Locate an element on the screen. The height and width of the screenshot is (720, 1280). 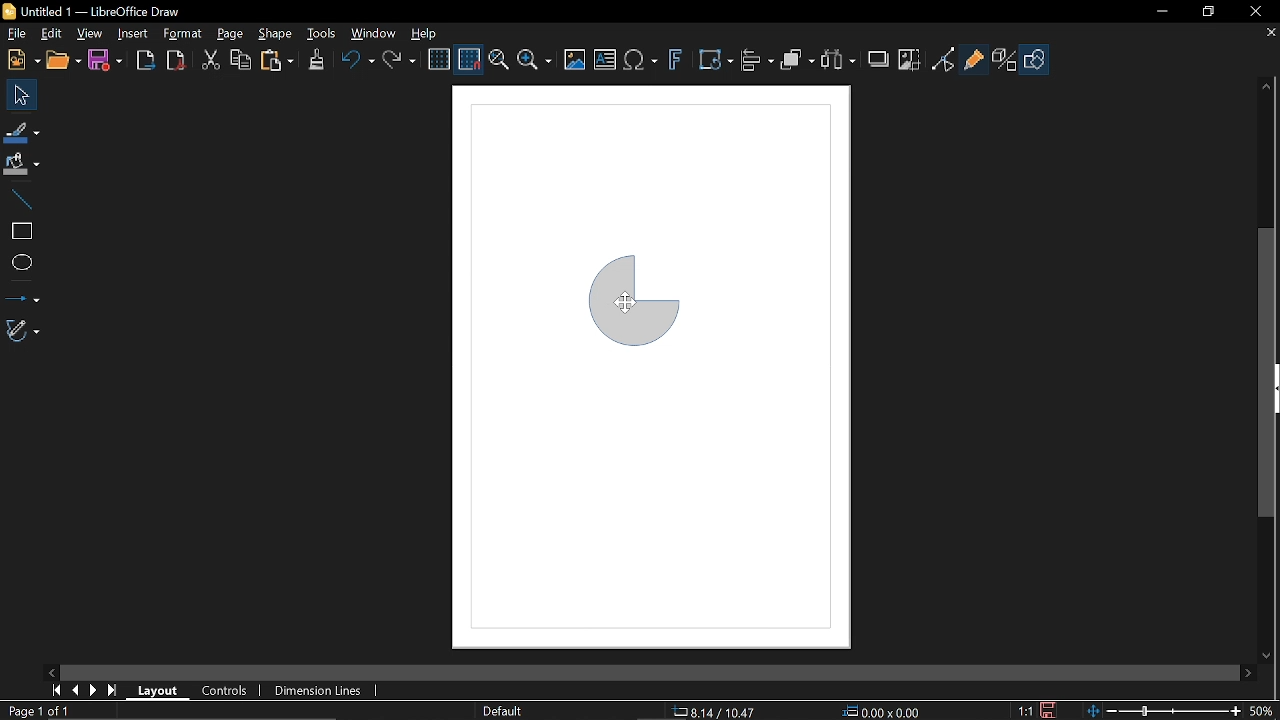
Tools is located at coordinates (322, 34).